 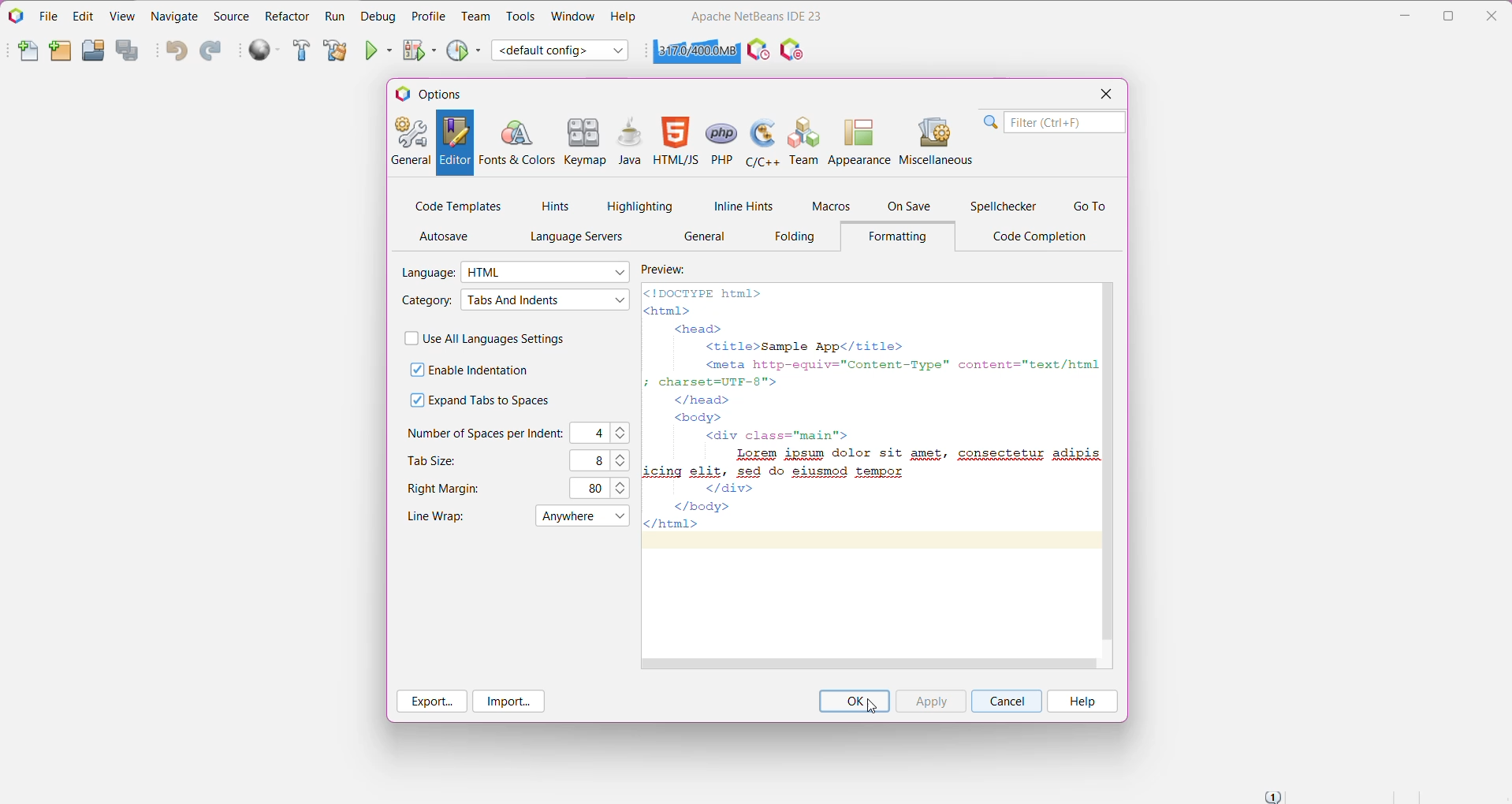 I want to click on C/C++, so click(x=761, y=141).